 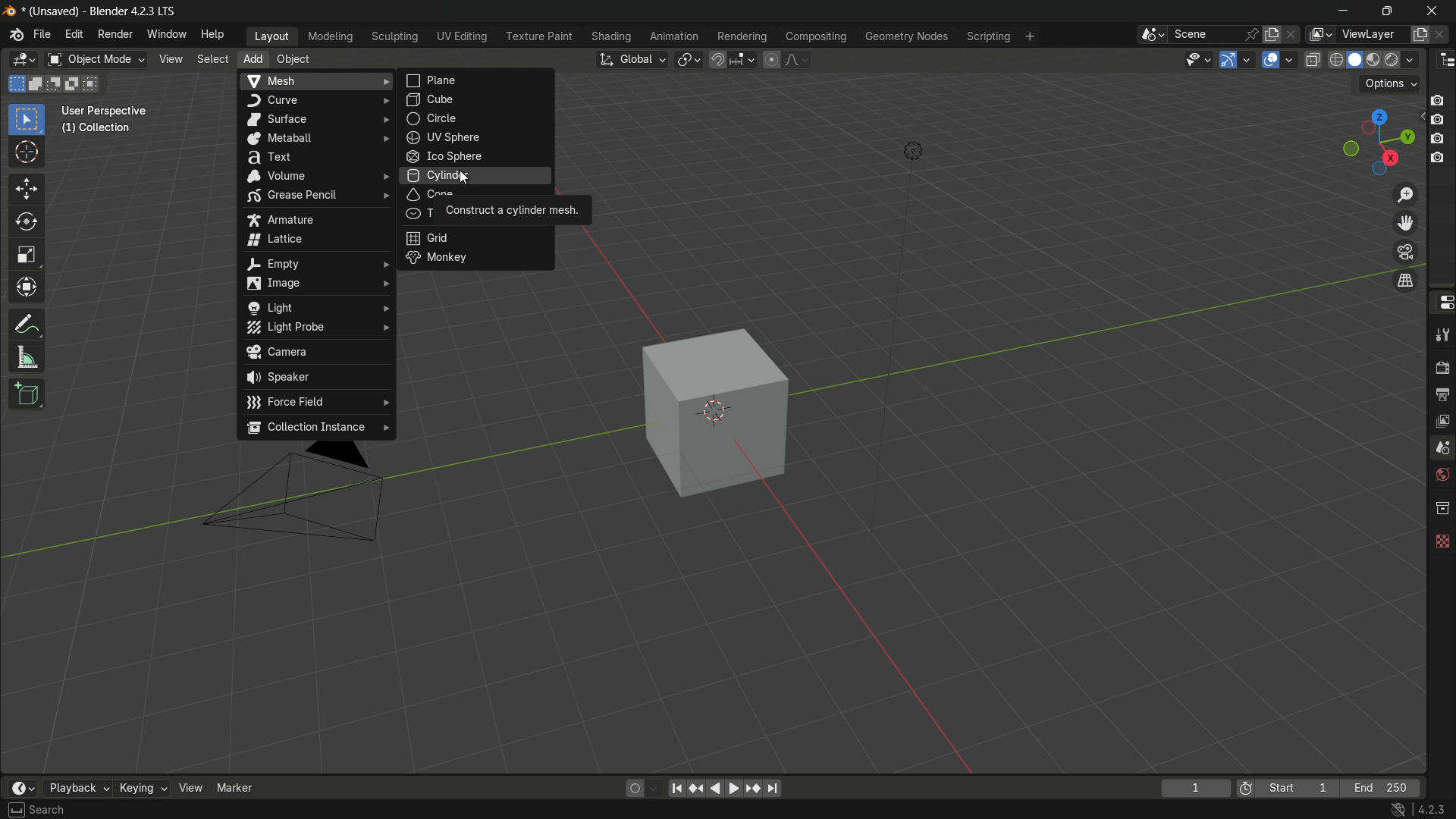 I want to click on delete scene, so click(x=1291, y=35).